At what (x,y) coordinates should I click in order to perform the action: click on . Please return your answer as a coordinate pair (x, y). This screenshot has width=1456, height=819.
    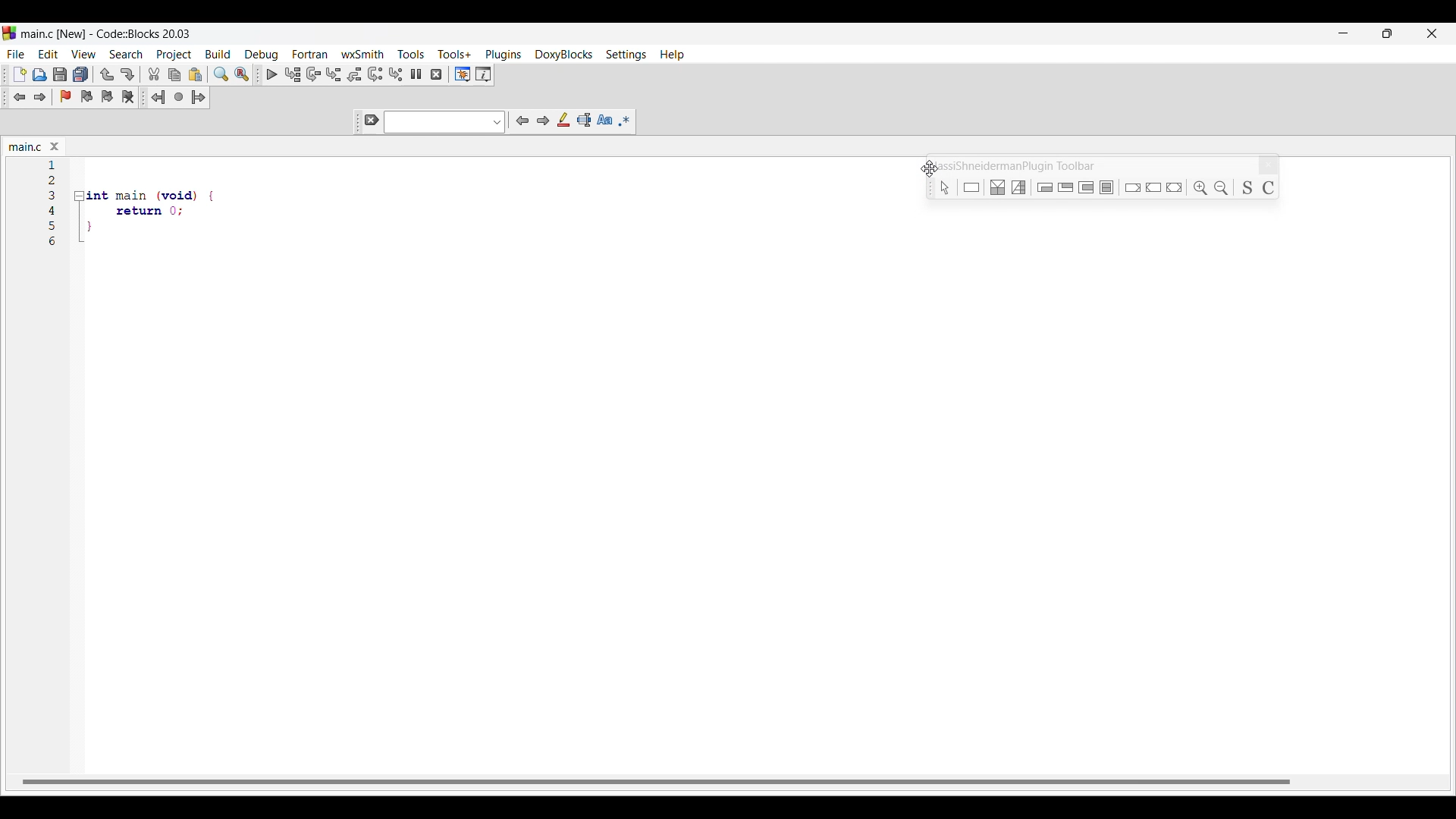
    Looking at the image, I should click on (130, 231).